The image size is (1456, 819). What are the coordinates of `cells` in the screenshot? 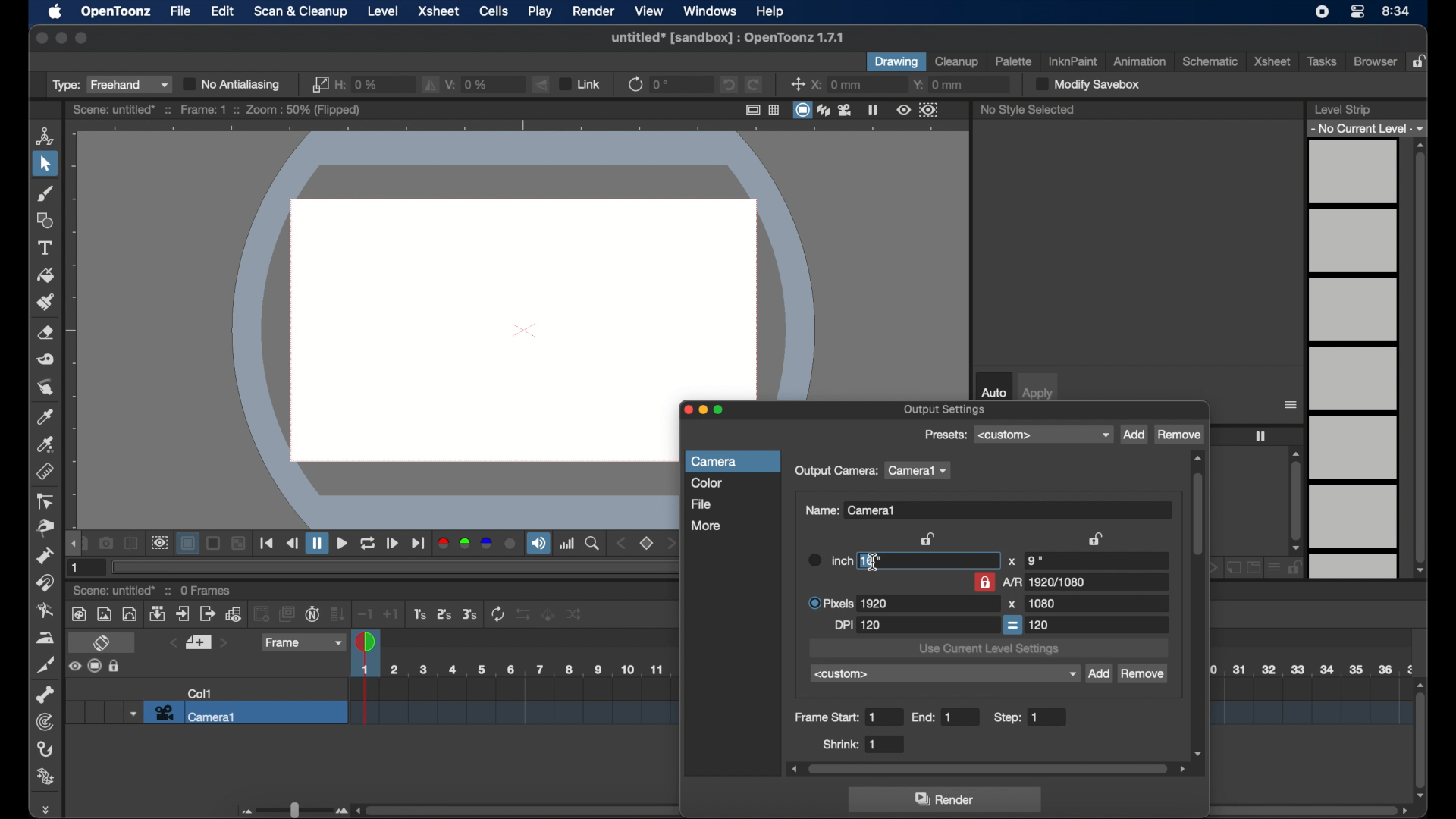 It's located at (493, 11).